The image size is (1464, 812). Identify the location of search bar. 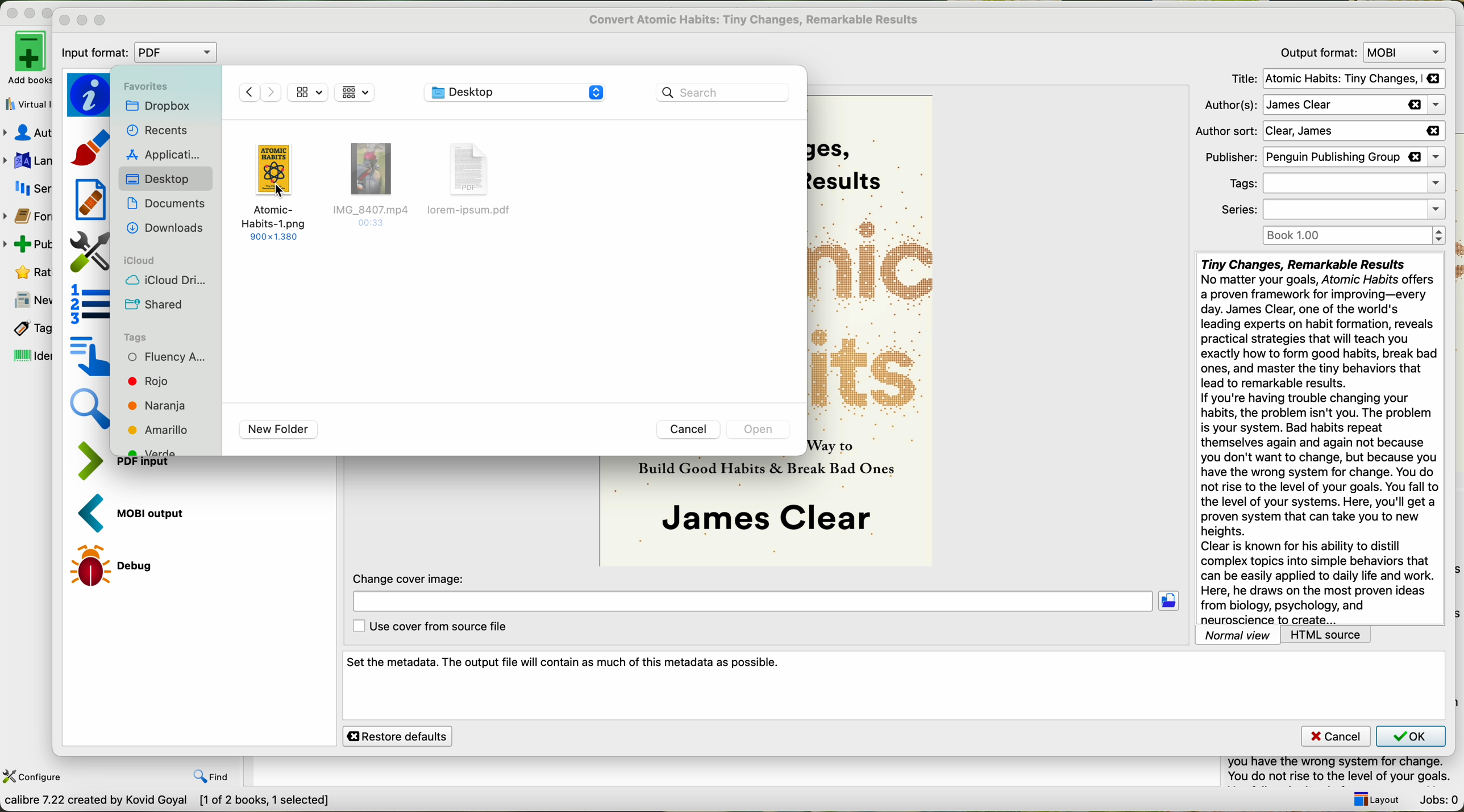
(724, 91).